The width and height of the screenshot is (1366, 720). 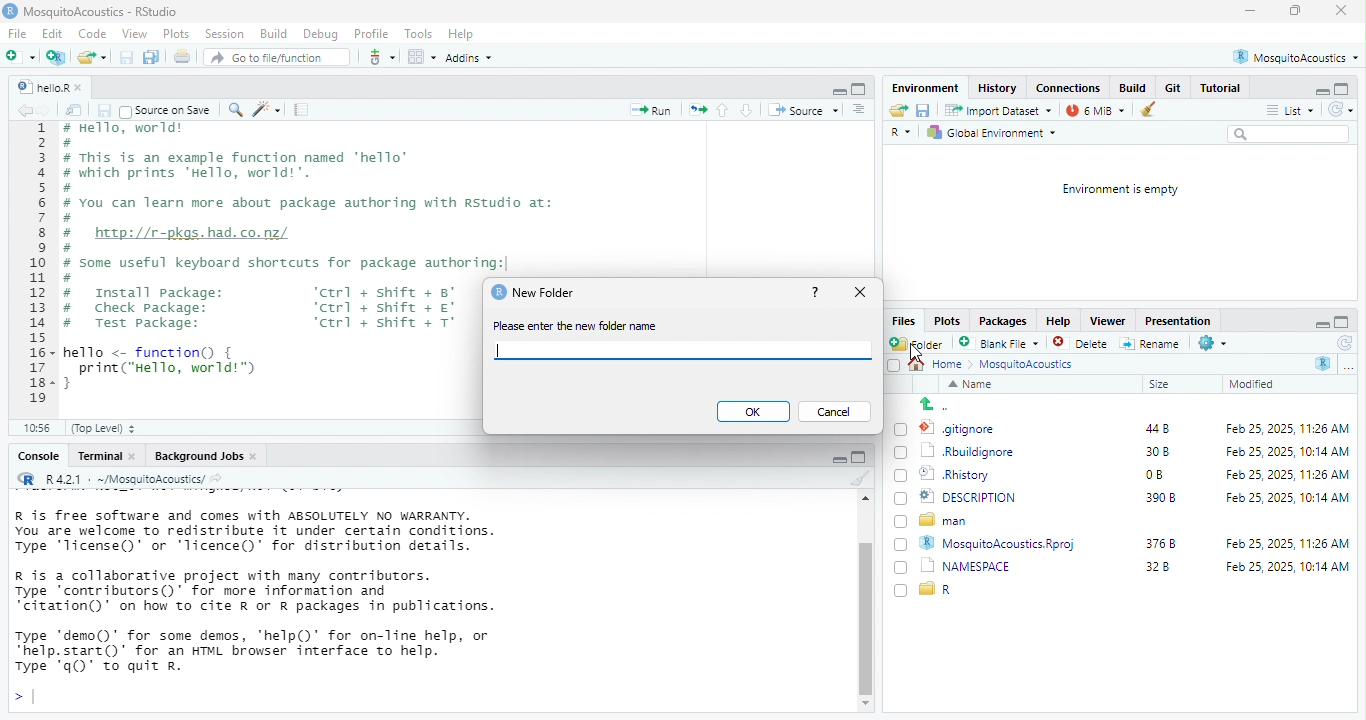 What do you see at coordinates (1172, 88) in the screenshot?
I see `Git` at bounding box center [1172, 88].